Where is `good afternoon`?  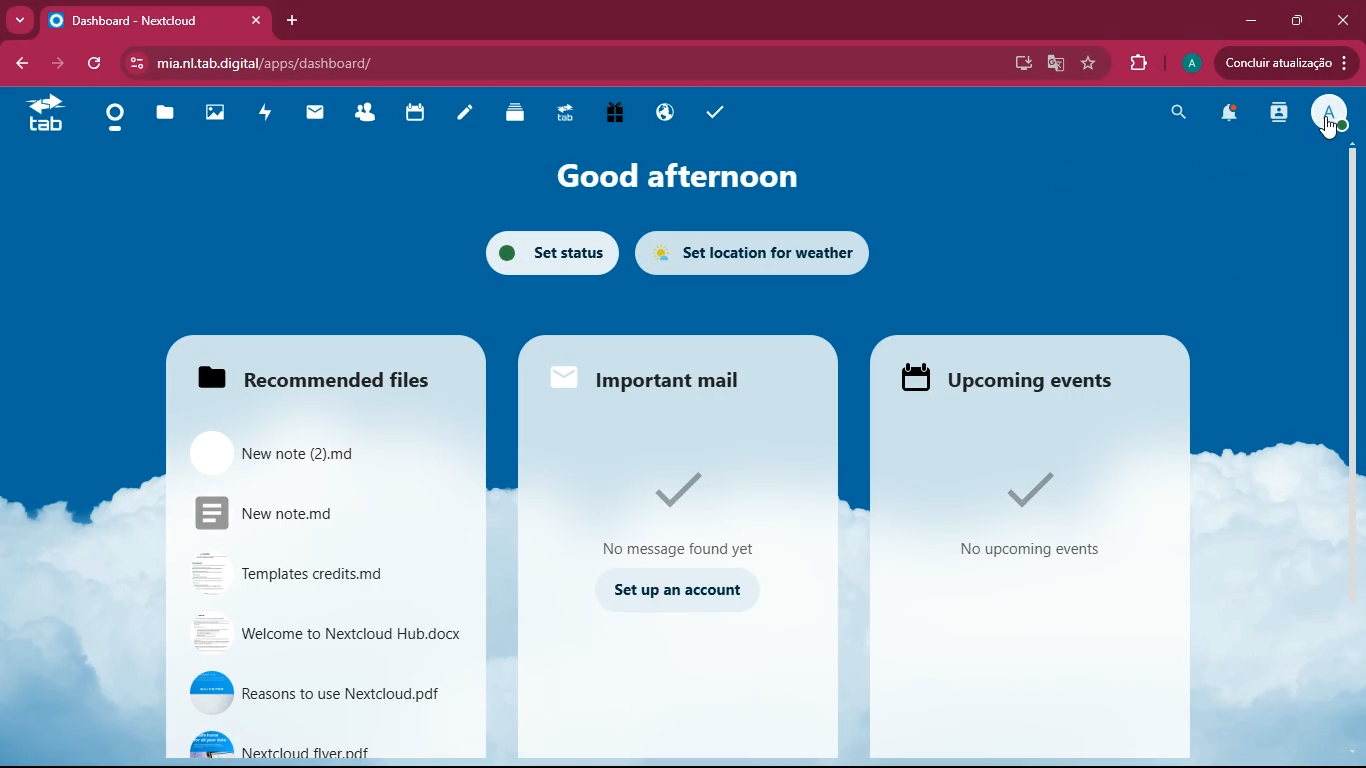 good afternoon is located at coordinates (674, 176).